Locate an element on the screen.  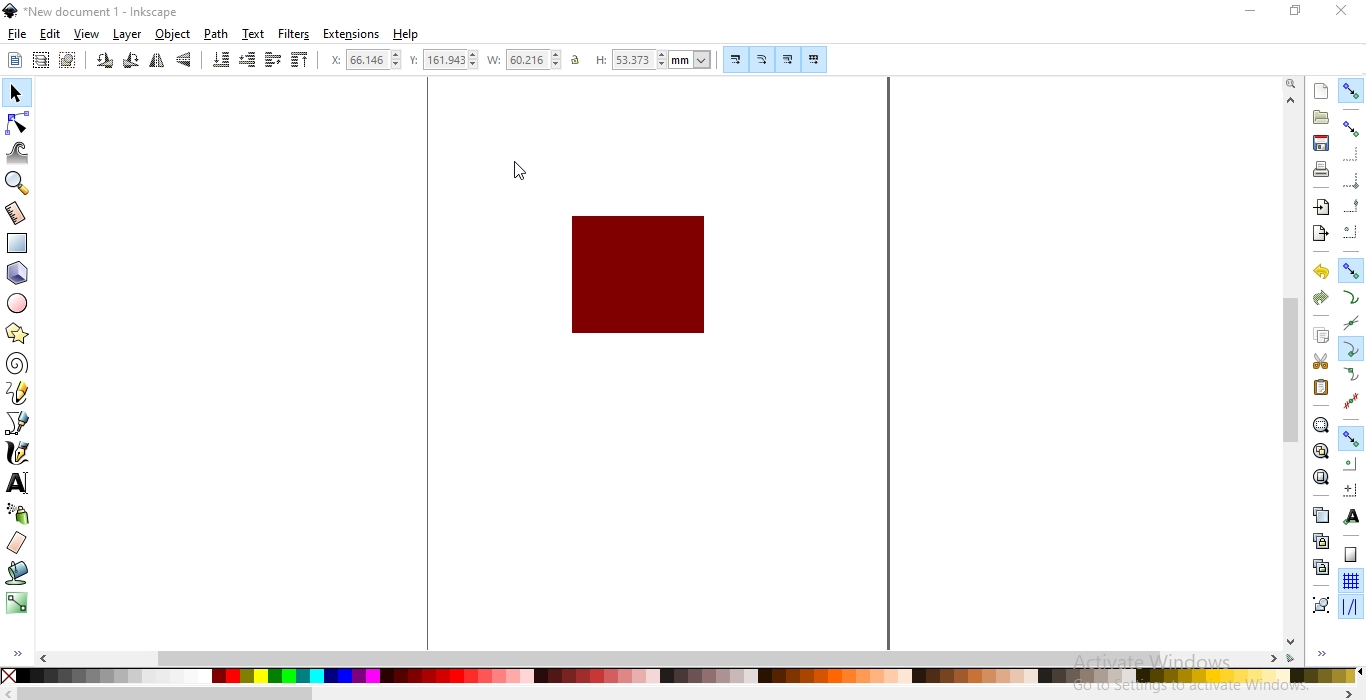
move patterns along with objects is located at coordinates (814, 60).